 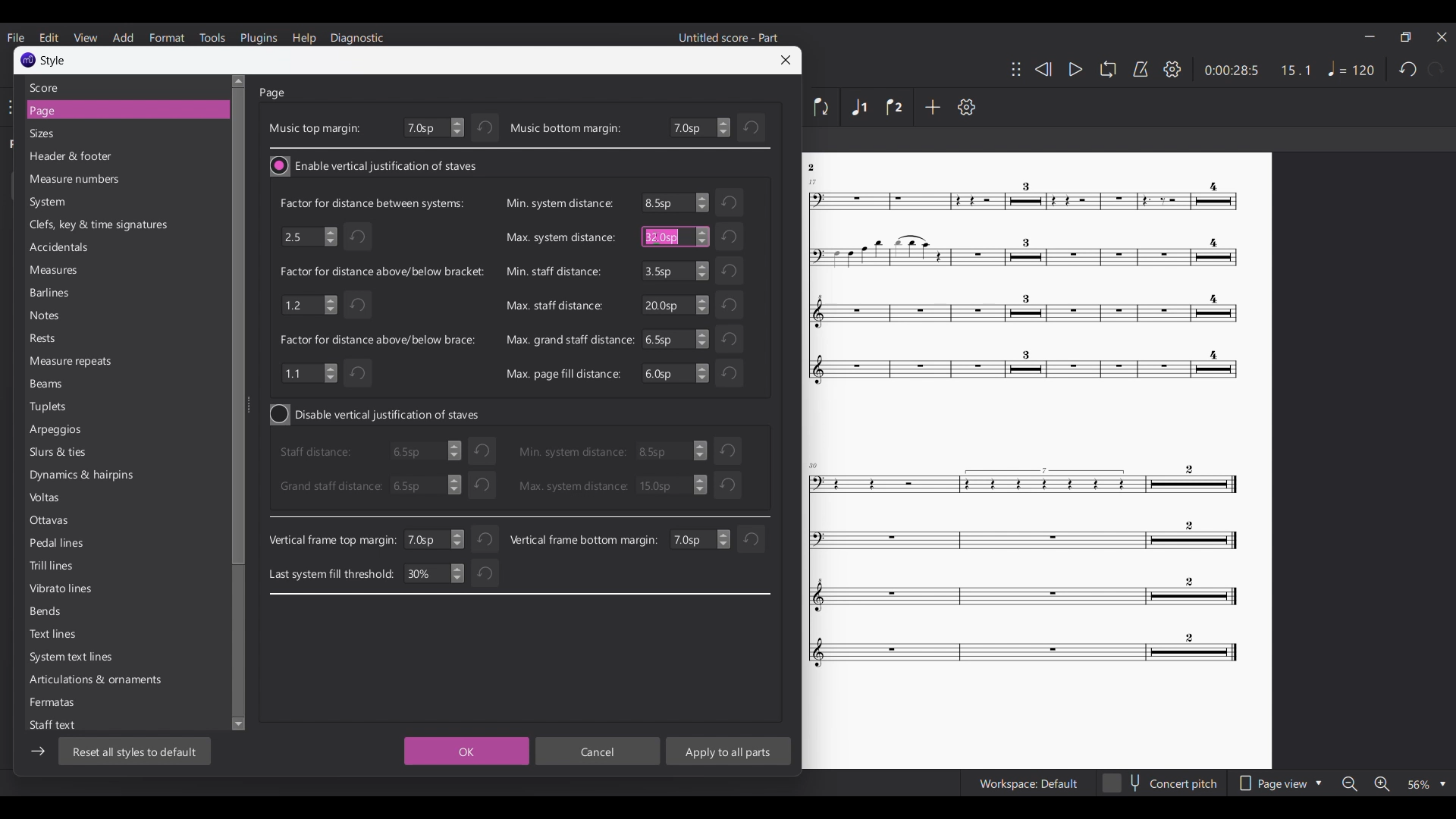 What do you see at coordinates (68, 453) in the screenshot?
I see `Shurs & ties` at bounding box center [68, 453].